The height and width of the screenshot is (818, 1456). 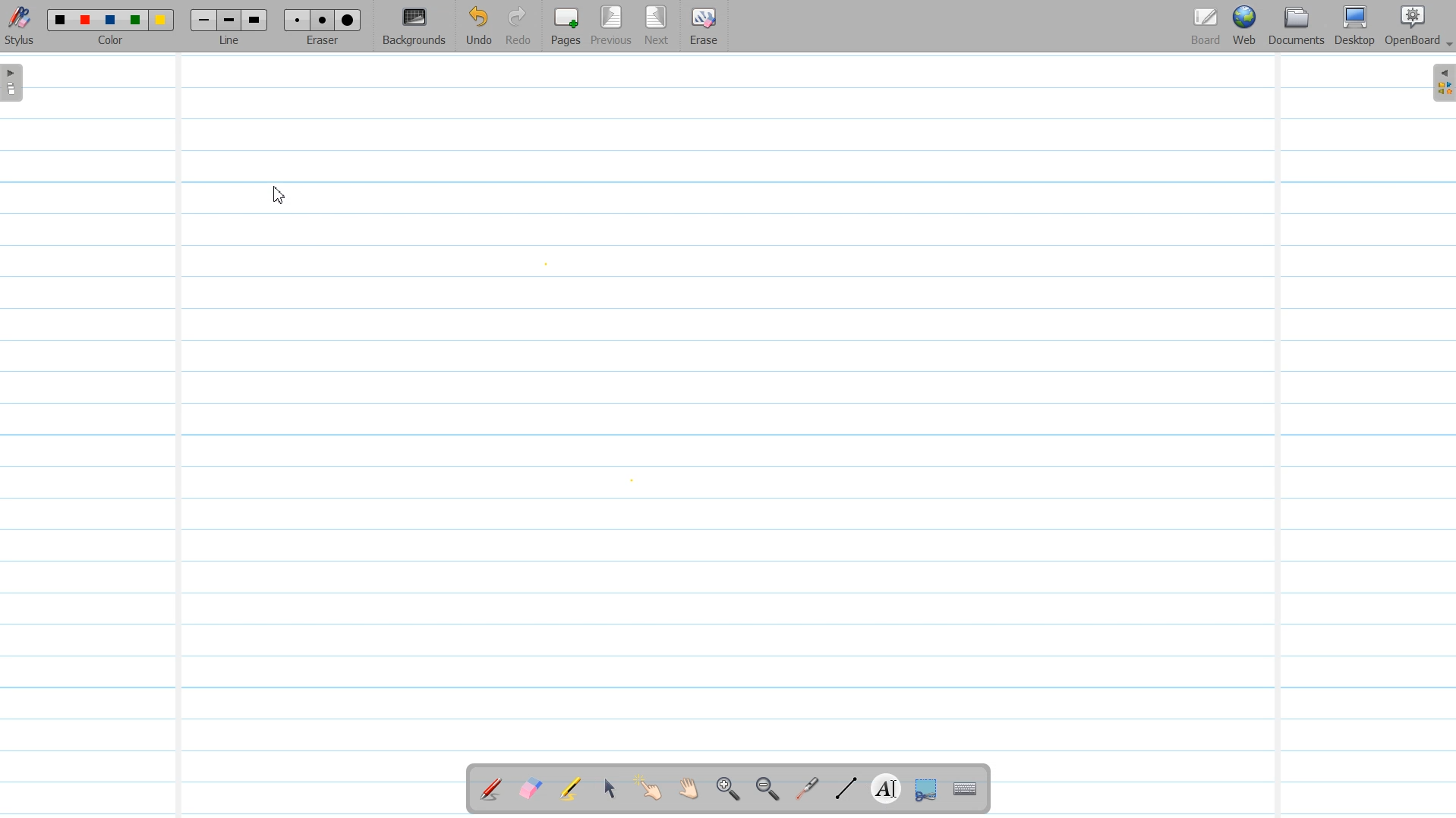 I want to click on Line, so click(x=231, y=26).